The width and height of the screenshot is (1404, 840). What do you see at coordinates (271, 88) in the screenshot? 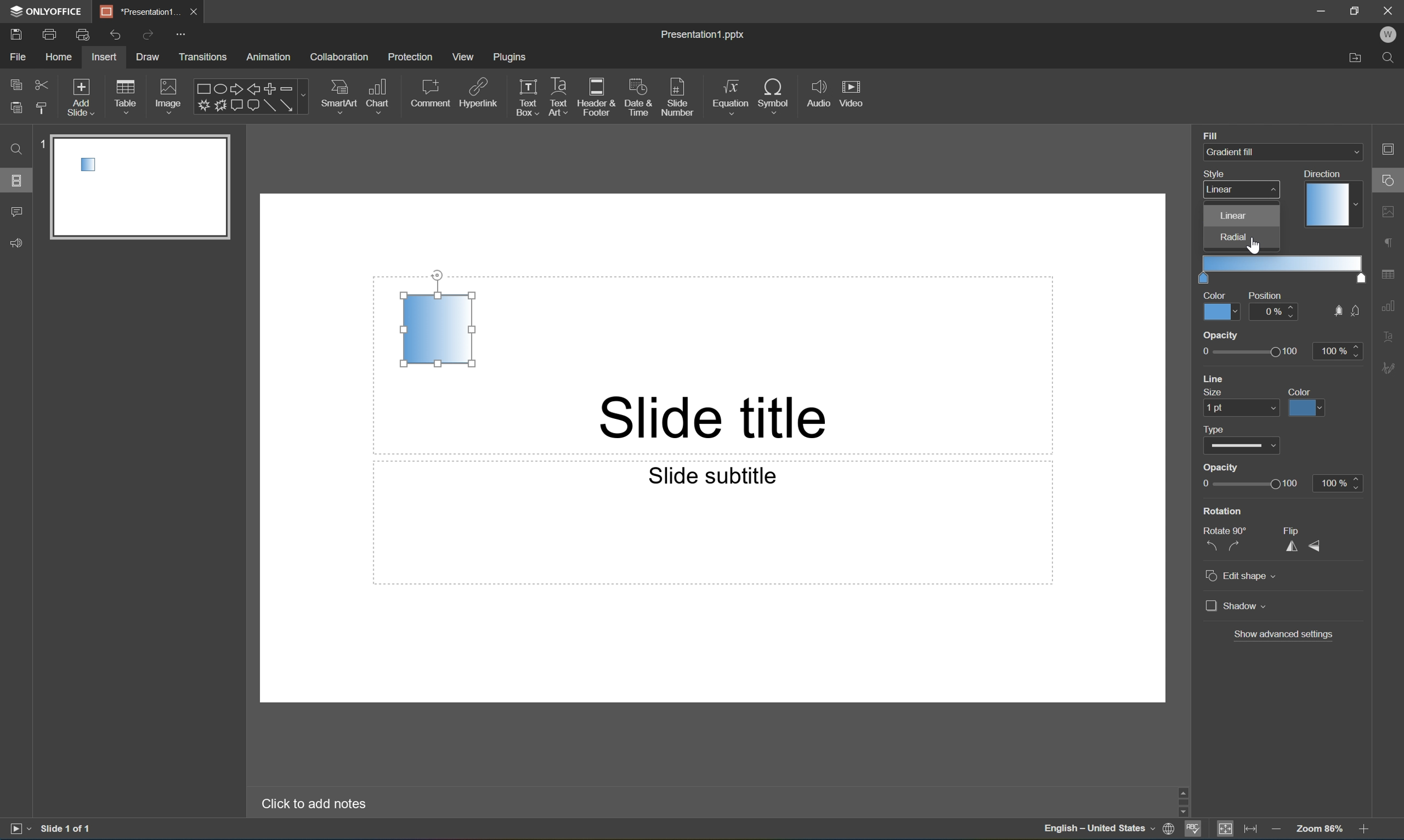
I see `Plus` at bounding box center [271, 88].